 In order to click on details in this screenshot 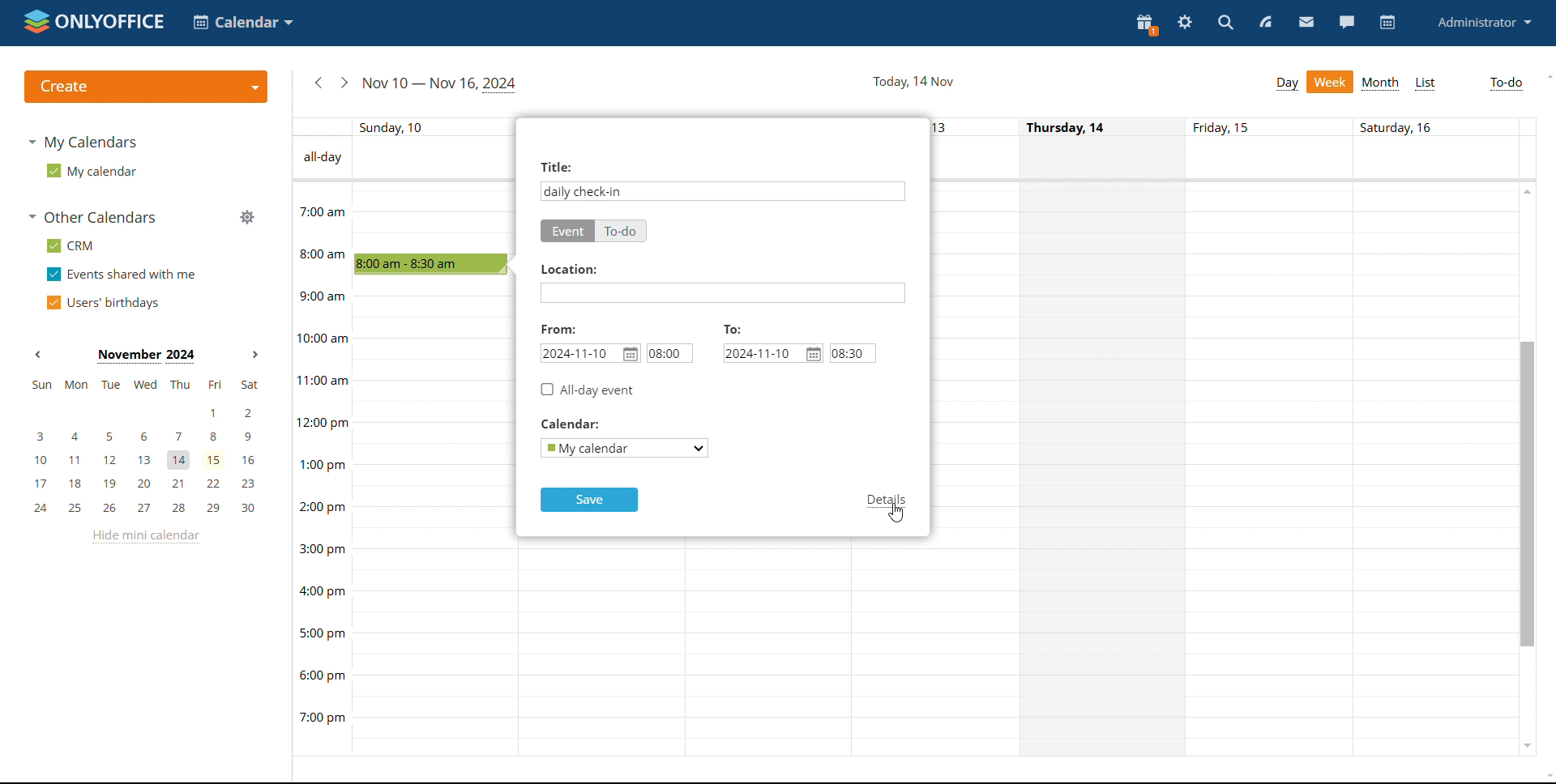, I will do `click(885, 501)`.